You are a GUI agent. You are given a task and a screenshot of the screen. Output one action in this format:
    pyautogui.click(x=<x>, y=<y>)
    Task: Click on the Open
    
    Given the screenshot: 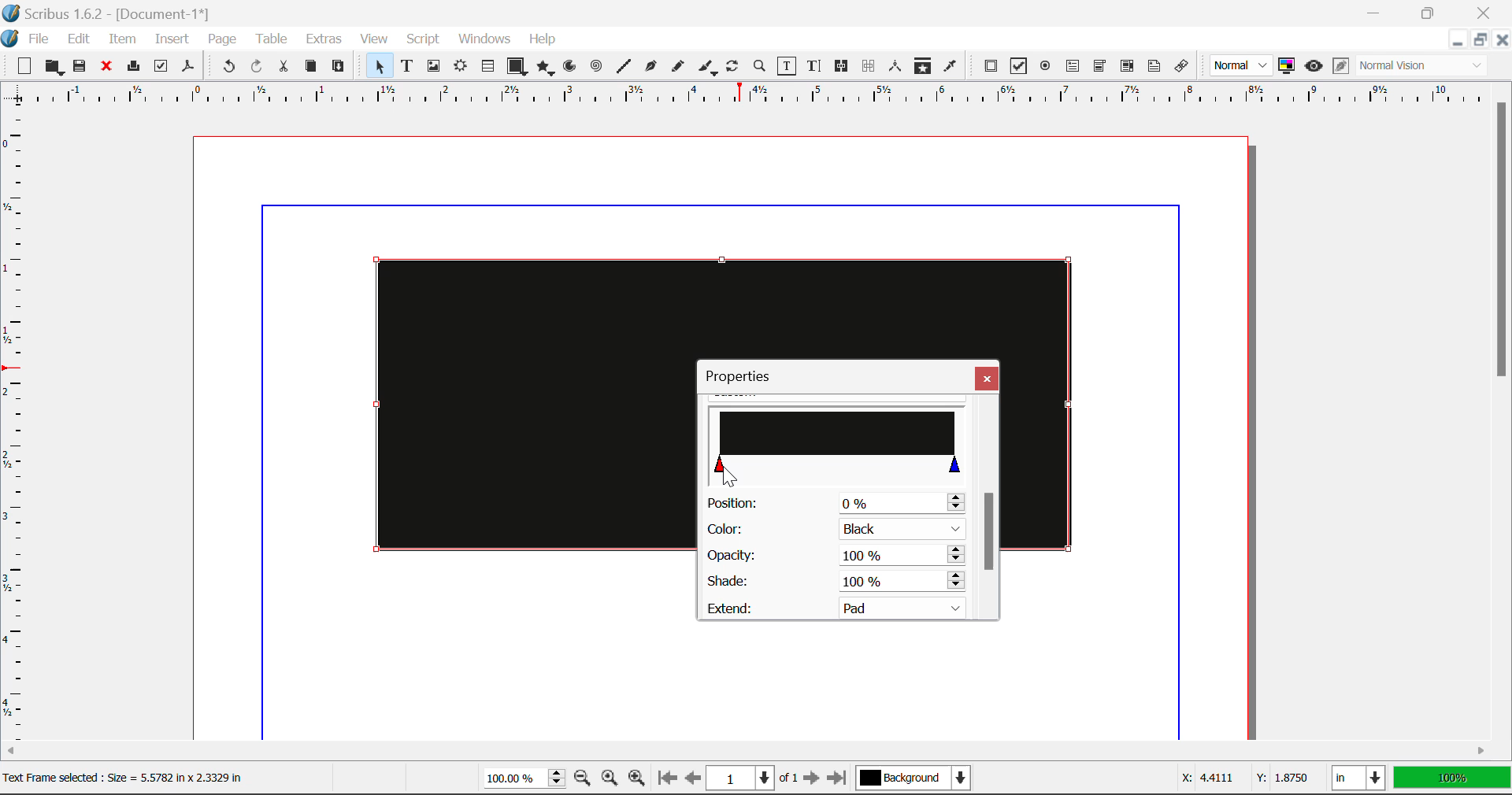 What is the action you would take?
    pyautogui.click(x=56, y=68)
    